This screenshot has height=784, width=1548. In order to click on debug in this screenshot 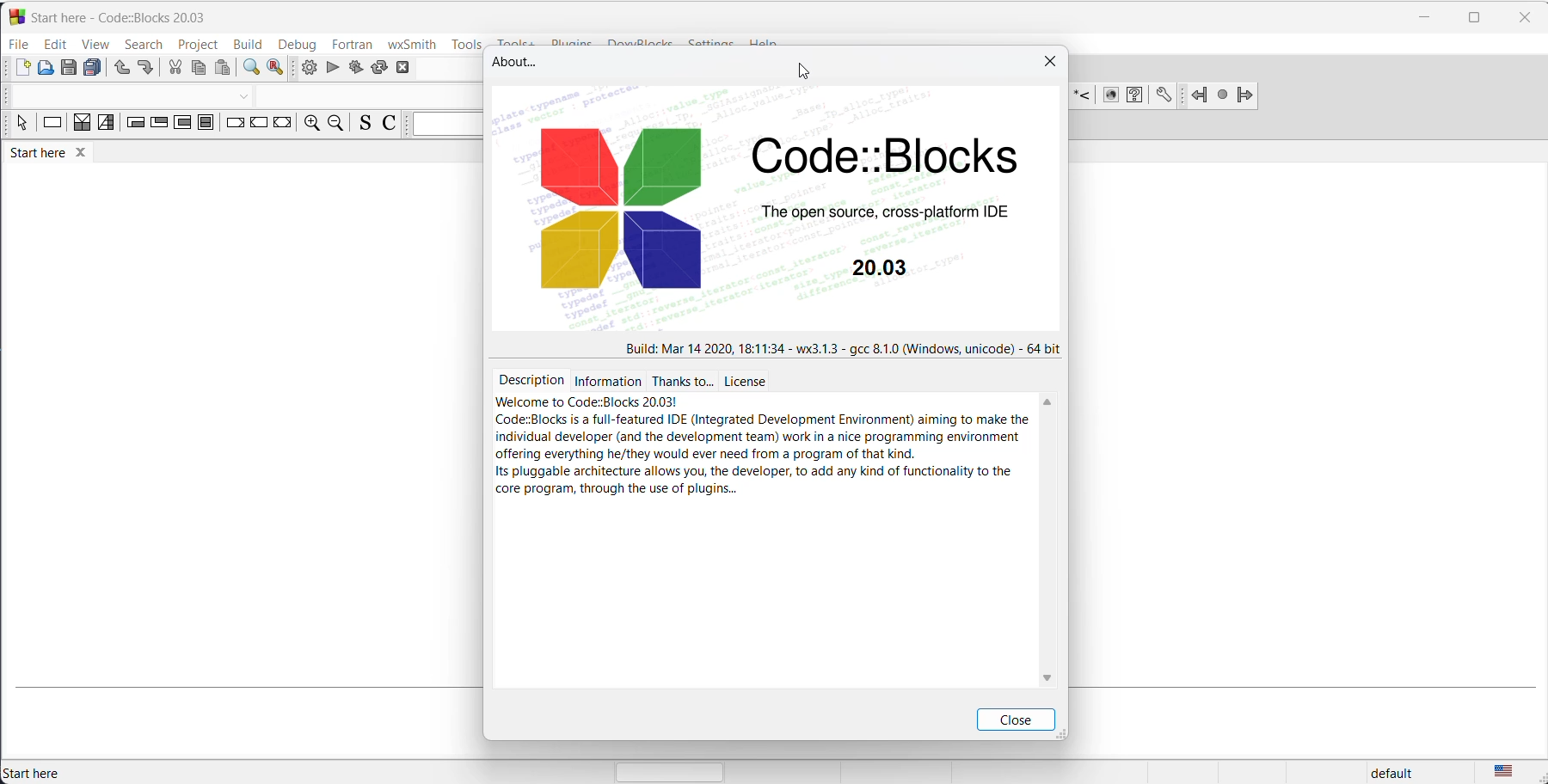, I will do `click(298, 44)`.